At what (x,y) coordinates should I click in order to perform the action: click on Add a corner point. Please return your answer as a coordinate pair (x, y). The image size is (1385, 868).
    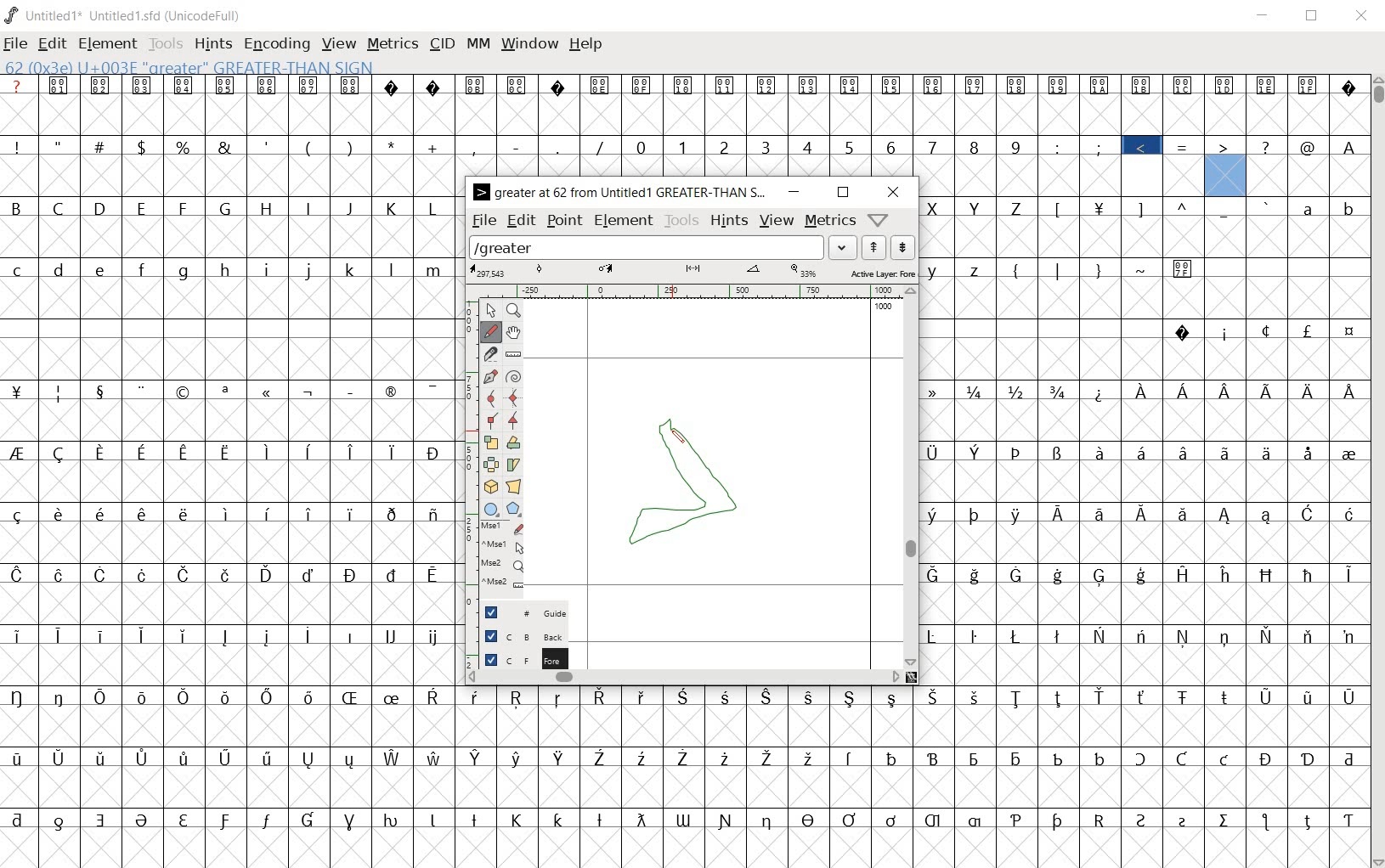
    Looking at the image, I should click on (514, 420).